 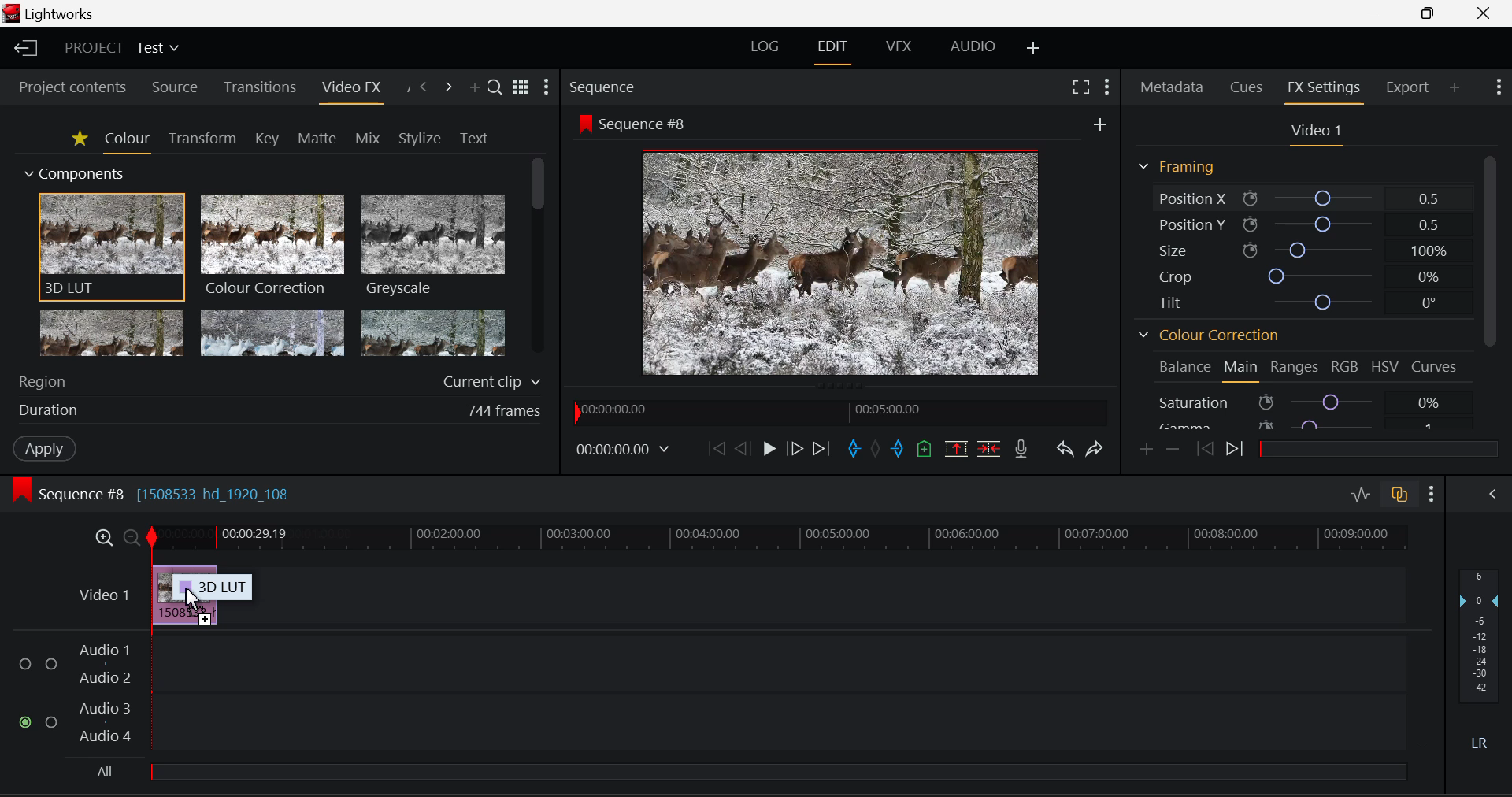 I want to click on Audio Track, so click(x=779, y=661).